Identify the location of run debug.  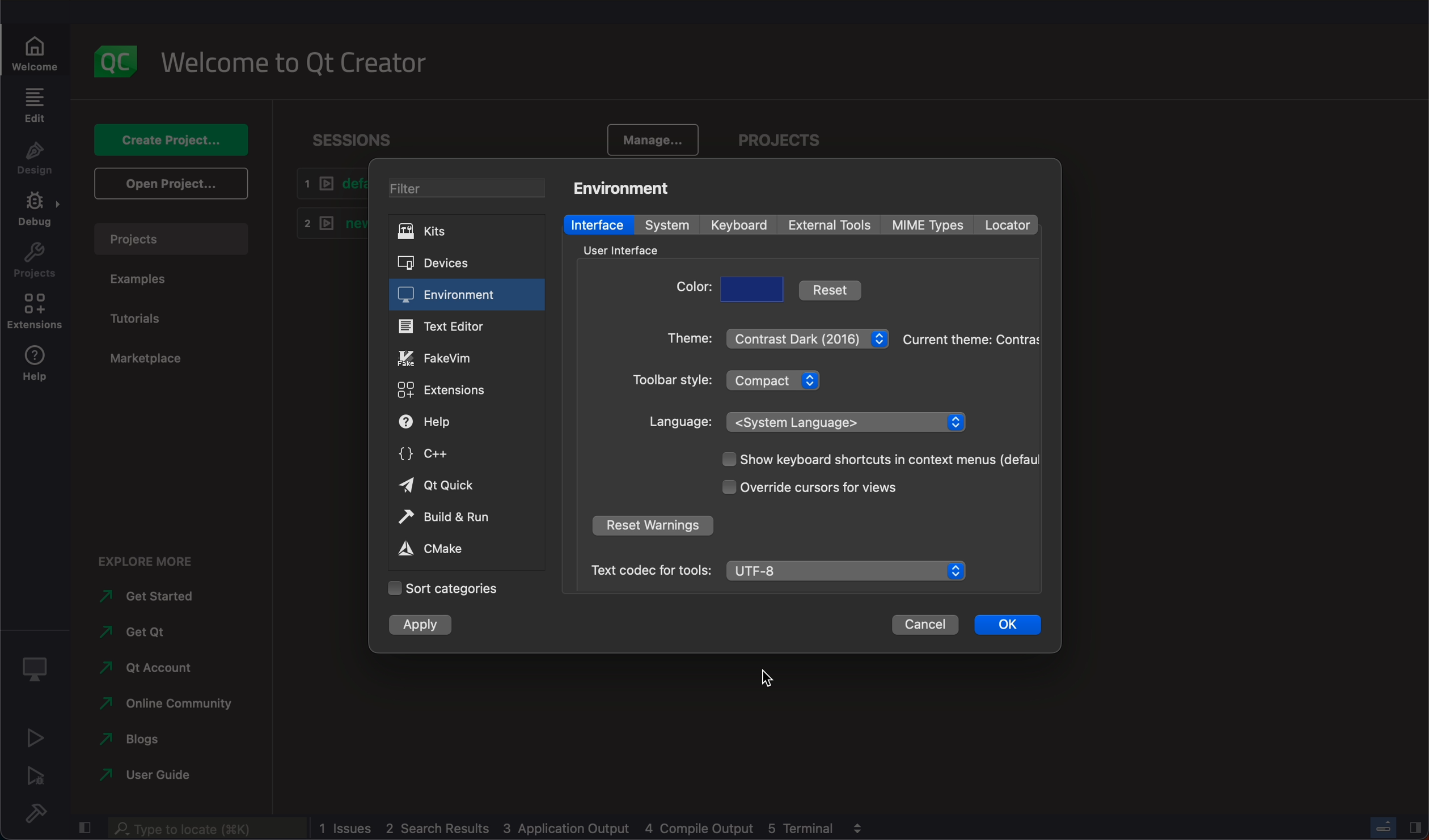
(38, 775).